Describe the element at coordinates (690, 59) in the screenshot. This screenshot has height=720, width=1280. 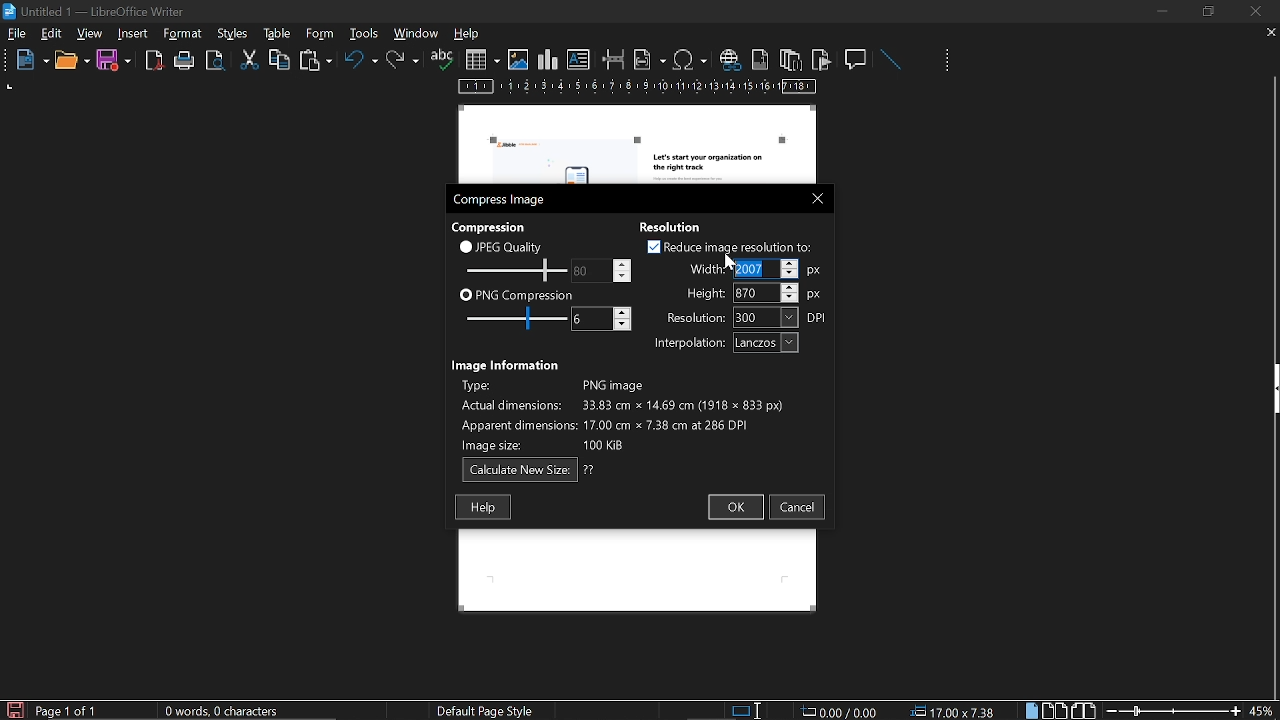
I see `insert symbol` at that location.